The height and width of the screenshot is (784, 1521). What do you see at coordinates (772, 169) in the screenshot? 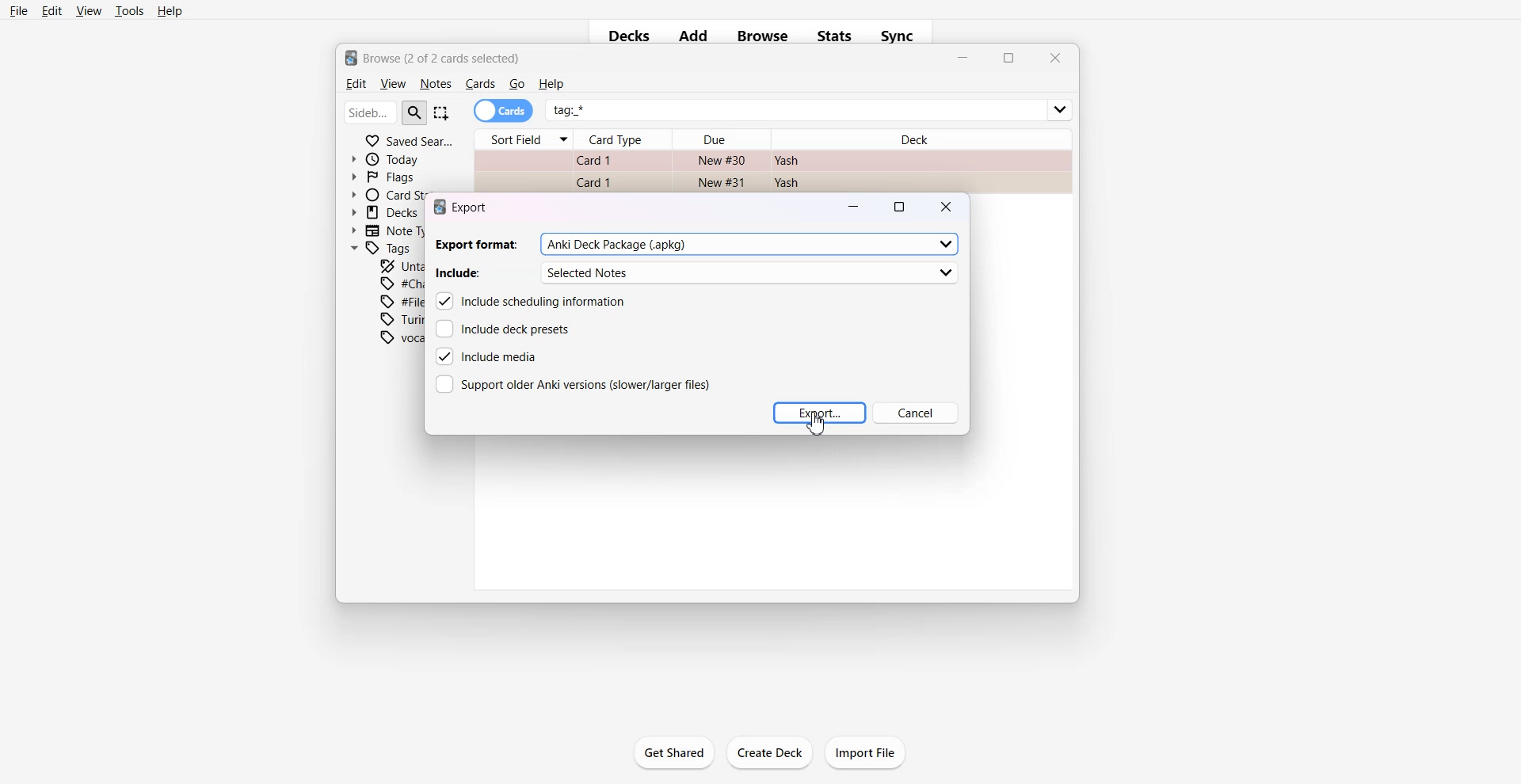
I see `Card File` at bounding box center [772, 169].